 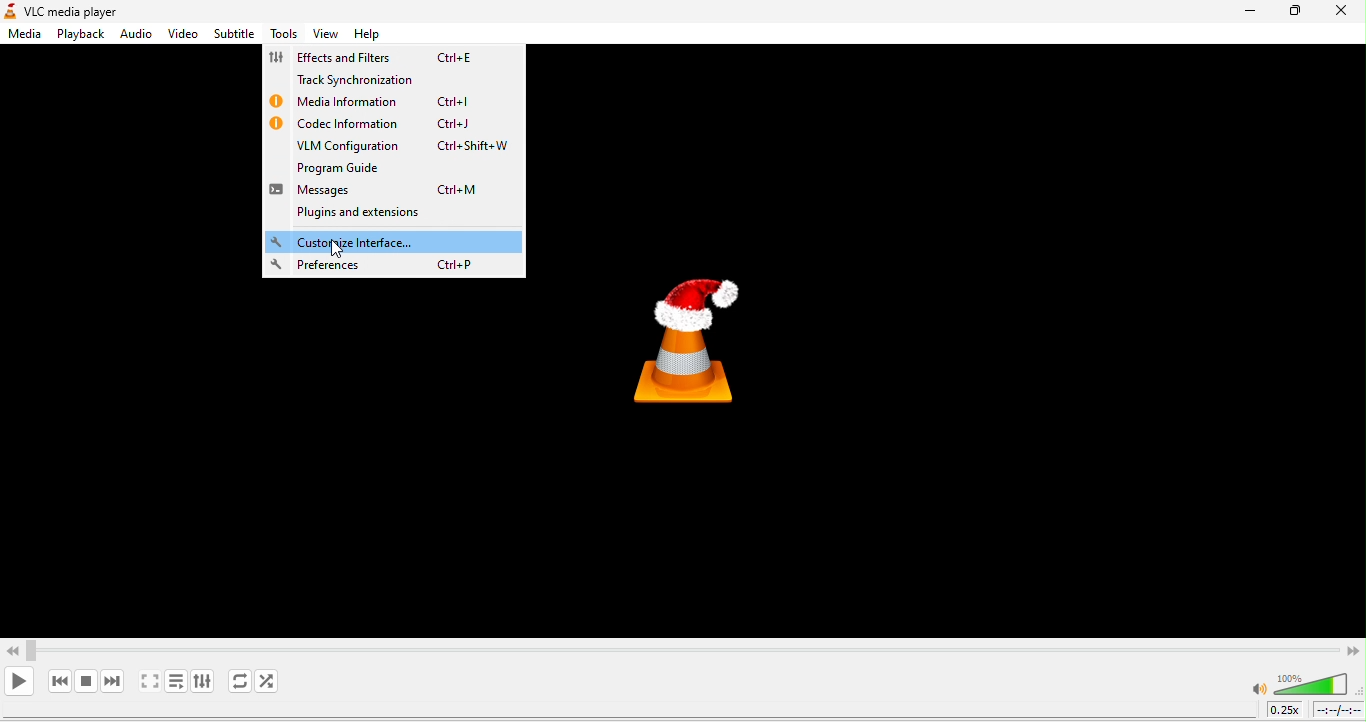 I want to click on track synchronization, so click(x=377, y=81).